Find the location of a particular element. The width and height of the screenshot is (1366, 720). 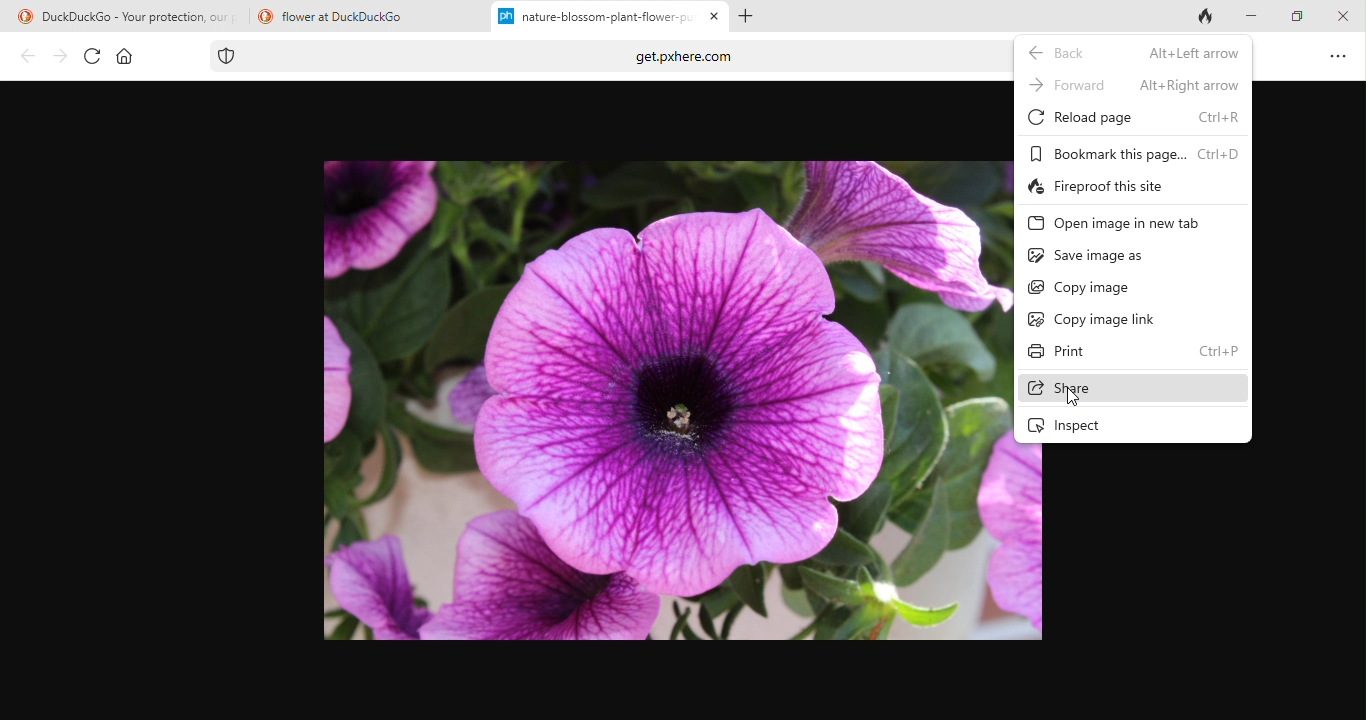

get.pxhere.com is located at coordinates (654, 60).